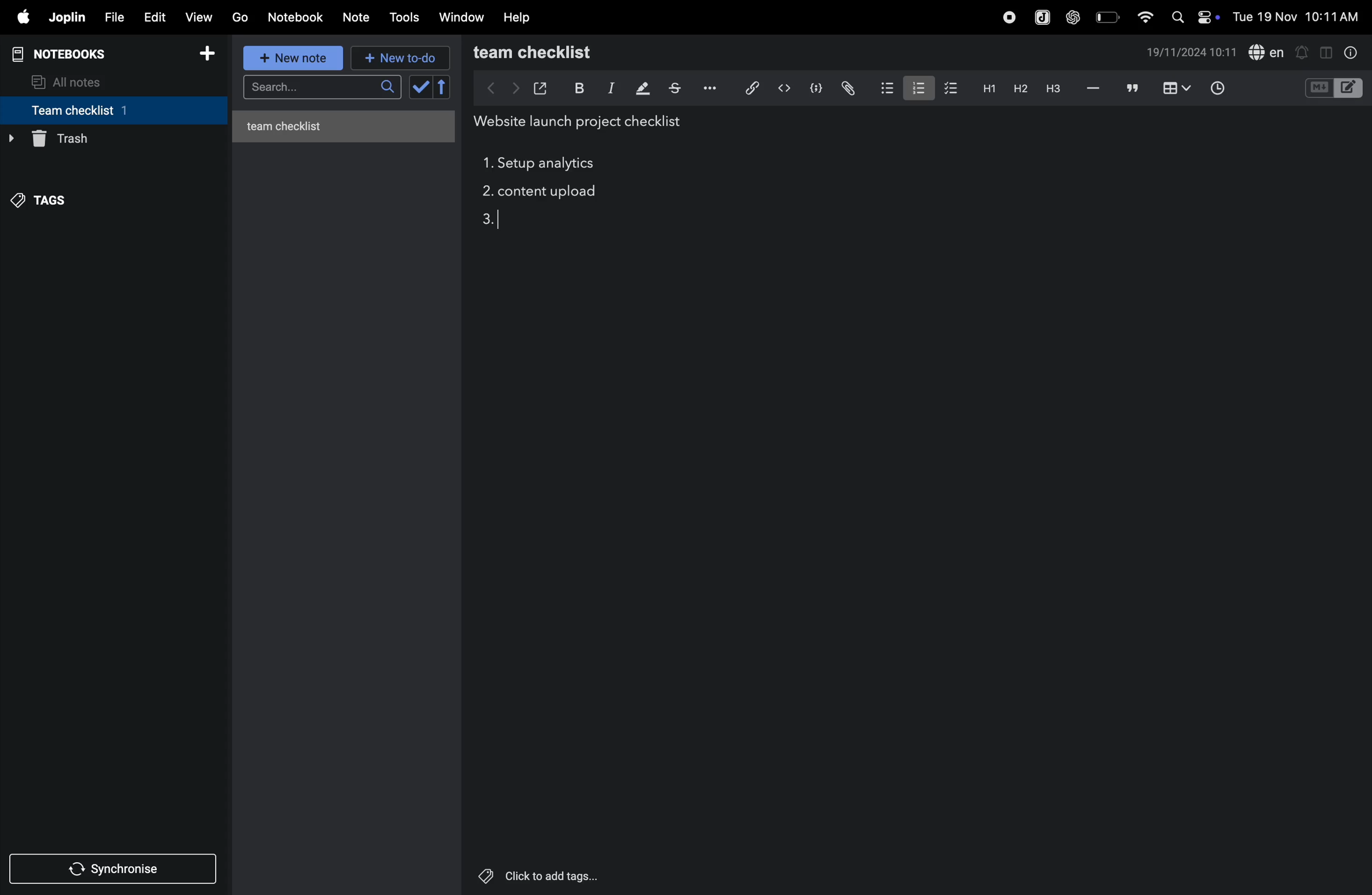  What do you see at coordinates (115, 868) in the screenshot?
I see `synchronize` at bounding box center [115, 868].